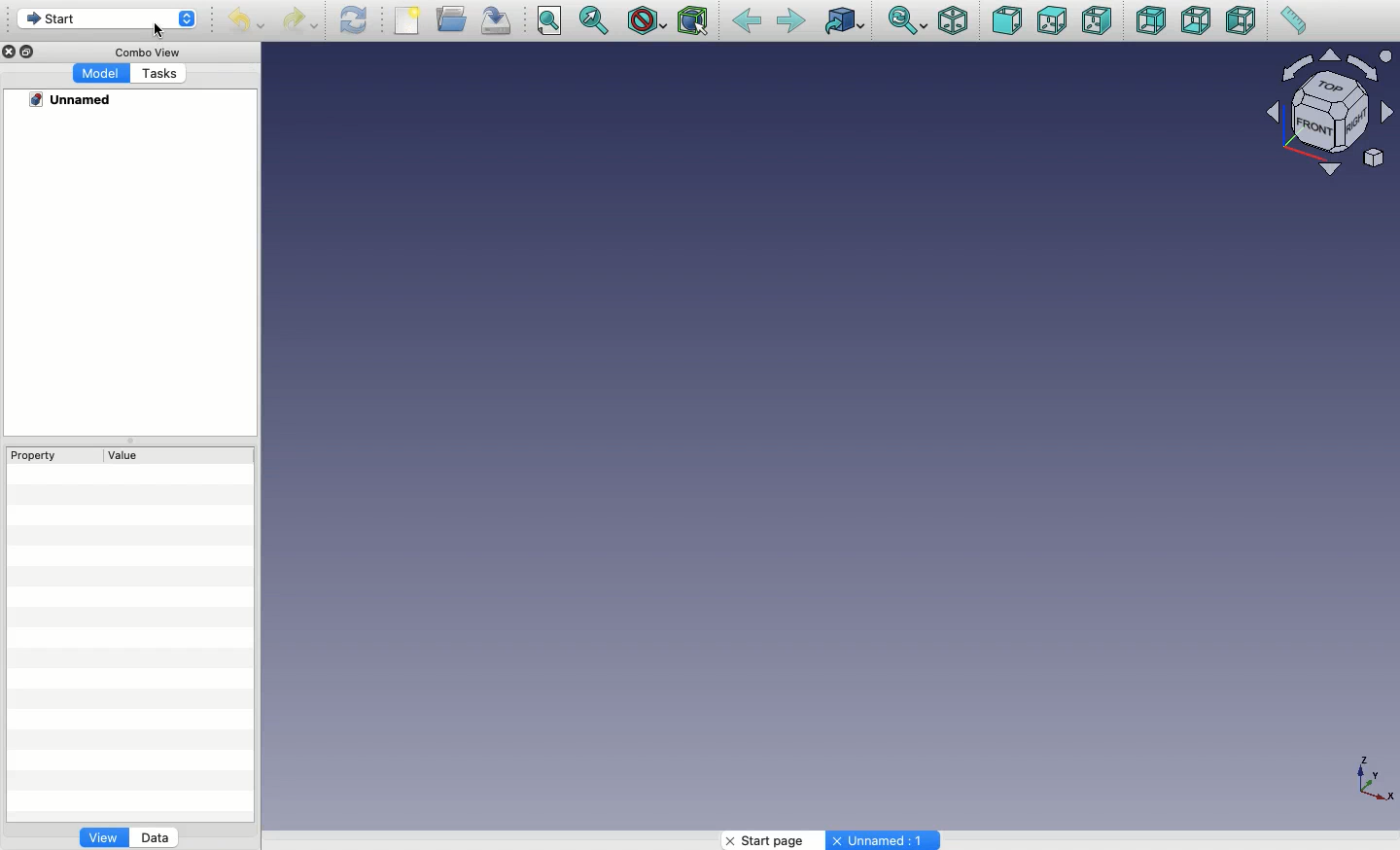 The image size is (1400, 850). What do you see at coordinates (1291, 22) in the screenshot?
I see `Measure` at bounding box center [1291, 22].